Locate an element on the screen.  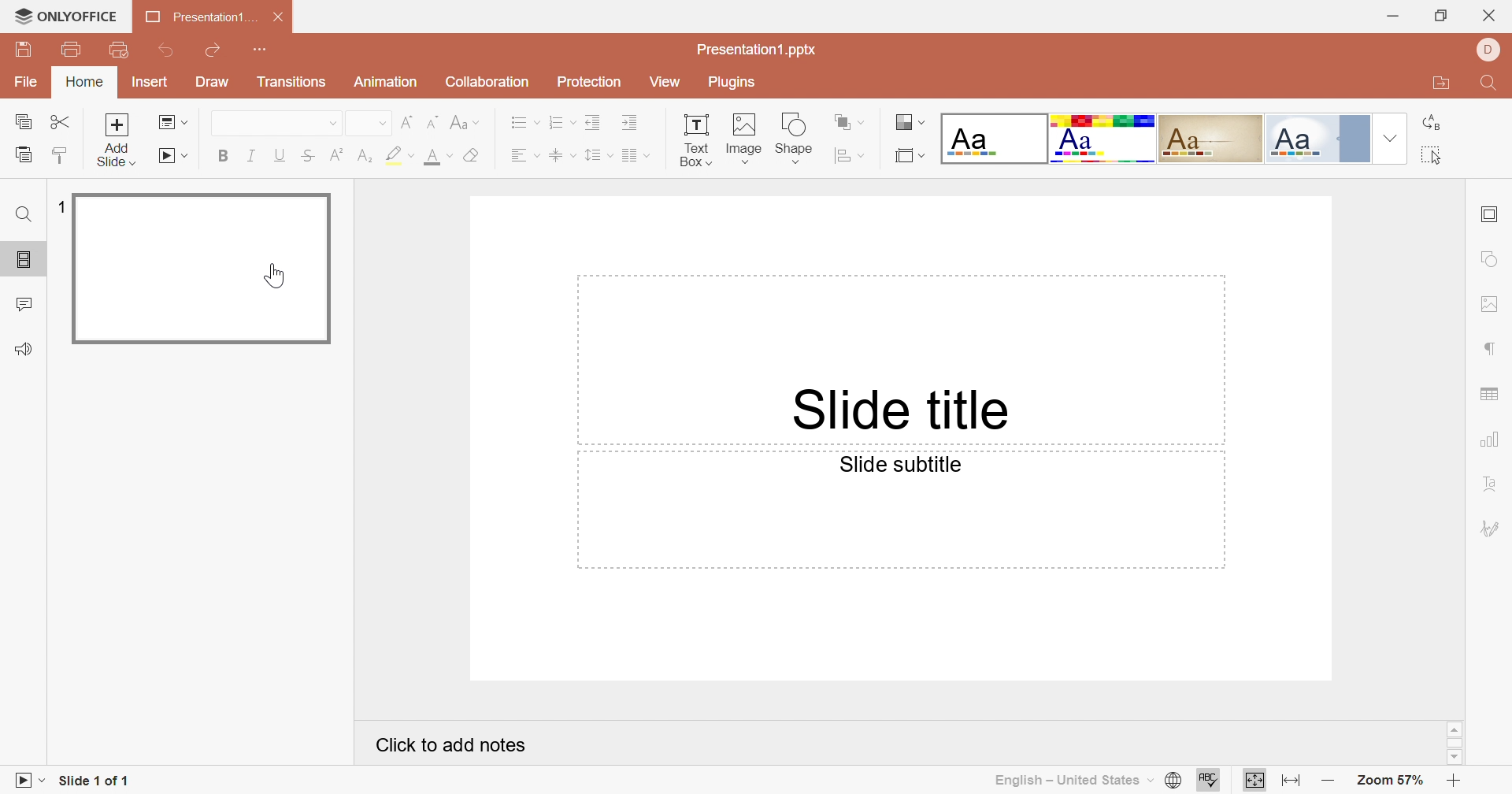
Drop Down is located at coordinates (43, 777).